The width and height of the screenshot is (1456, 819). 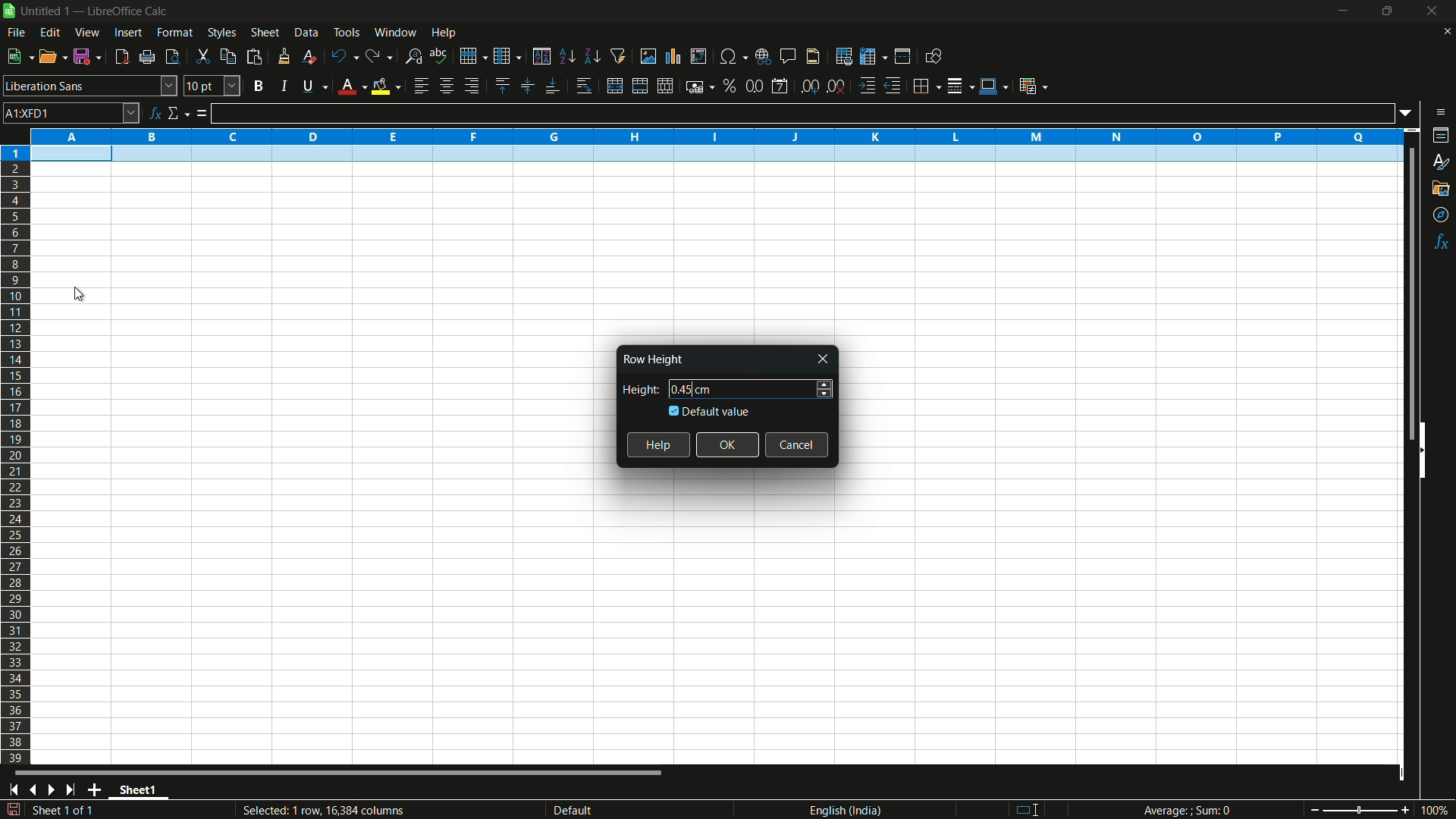 What do you see at coordinates (1439, 163) in the screenshot?
I see `styles` at bounding box center [1439, 163].